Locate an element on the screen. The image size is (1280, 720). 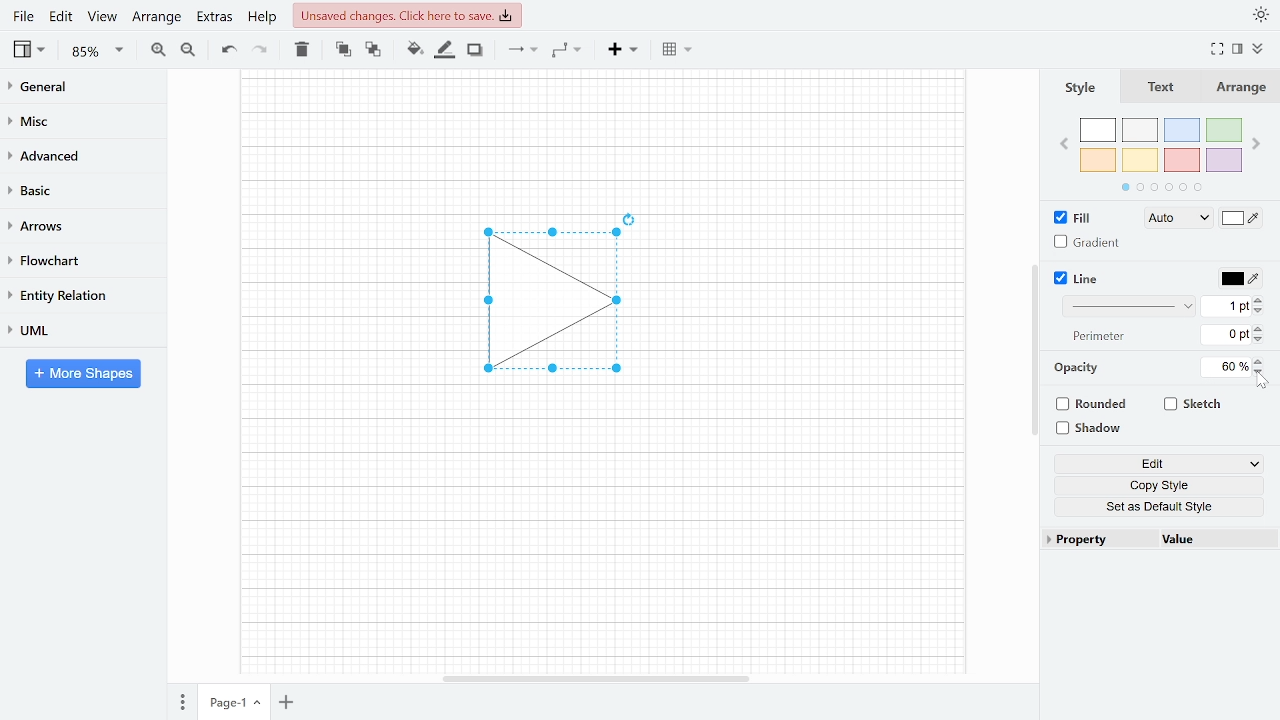
Opacity is located at coordinates (1078, 368).